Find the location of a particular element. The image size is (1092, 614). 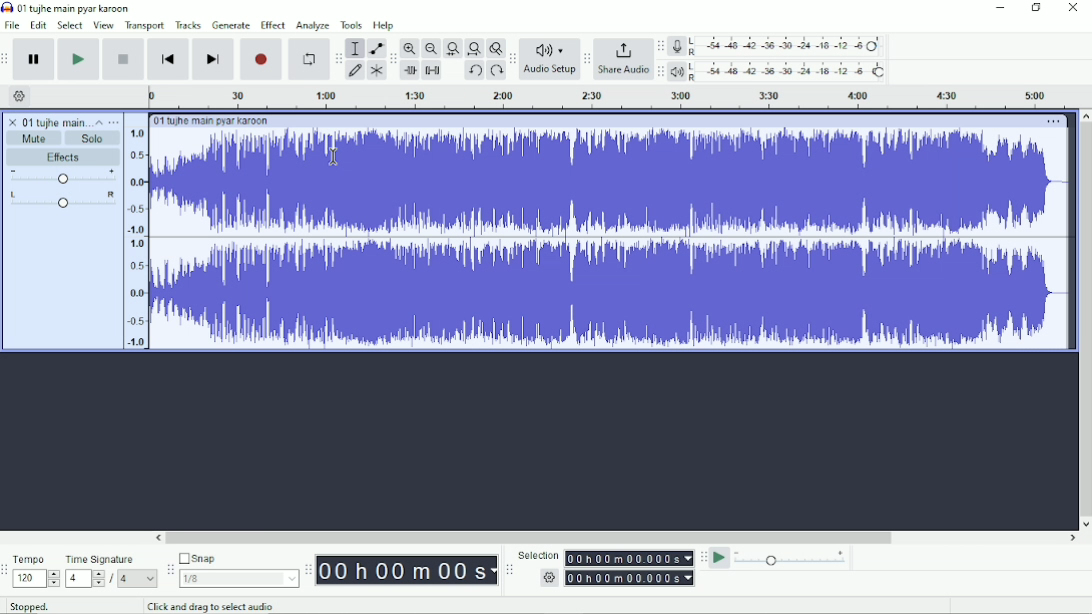

File is located at coordinates (11, 25).